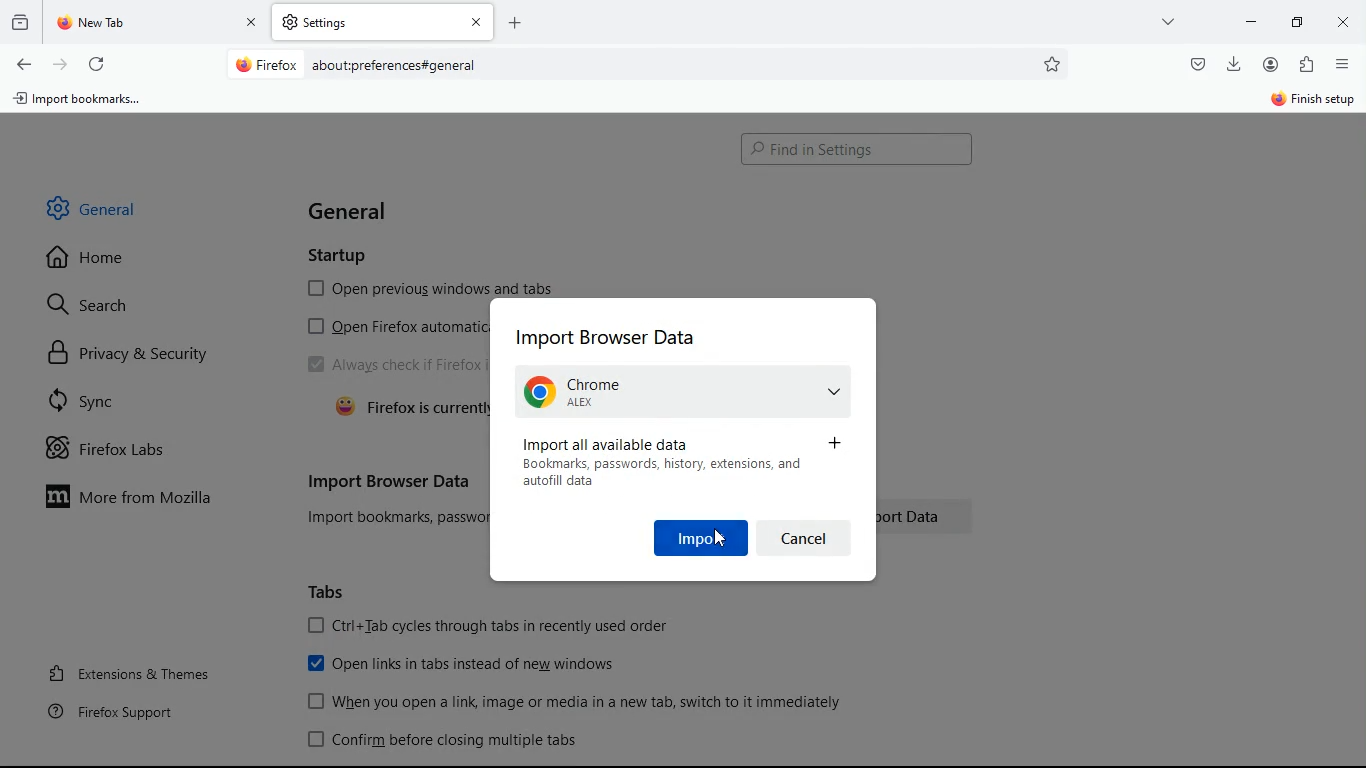 The width and height of the screenshot is (1366, 768). Describe the element at coordinates (470, 666) in the screenshot. I see `open links in tabs  instead of new windows` at that location.